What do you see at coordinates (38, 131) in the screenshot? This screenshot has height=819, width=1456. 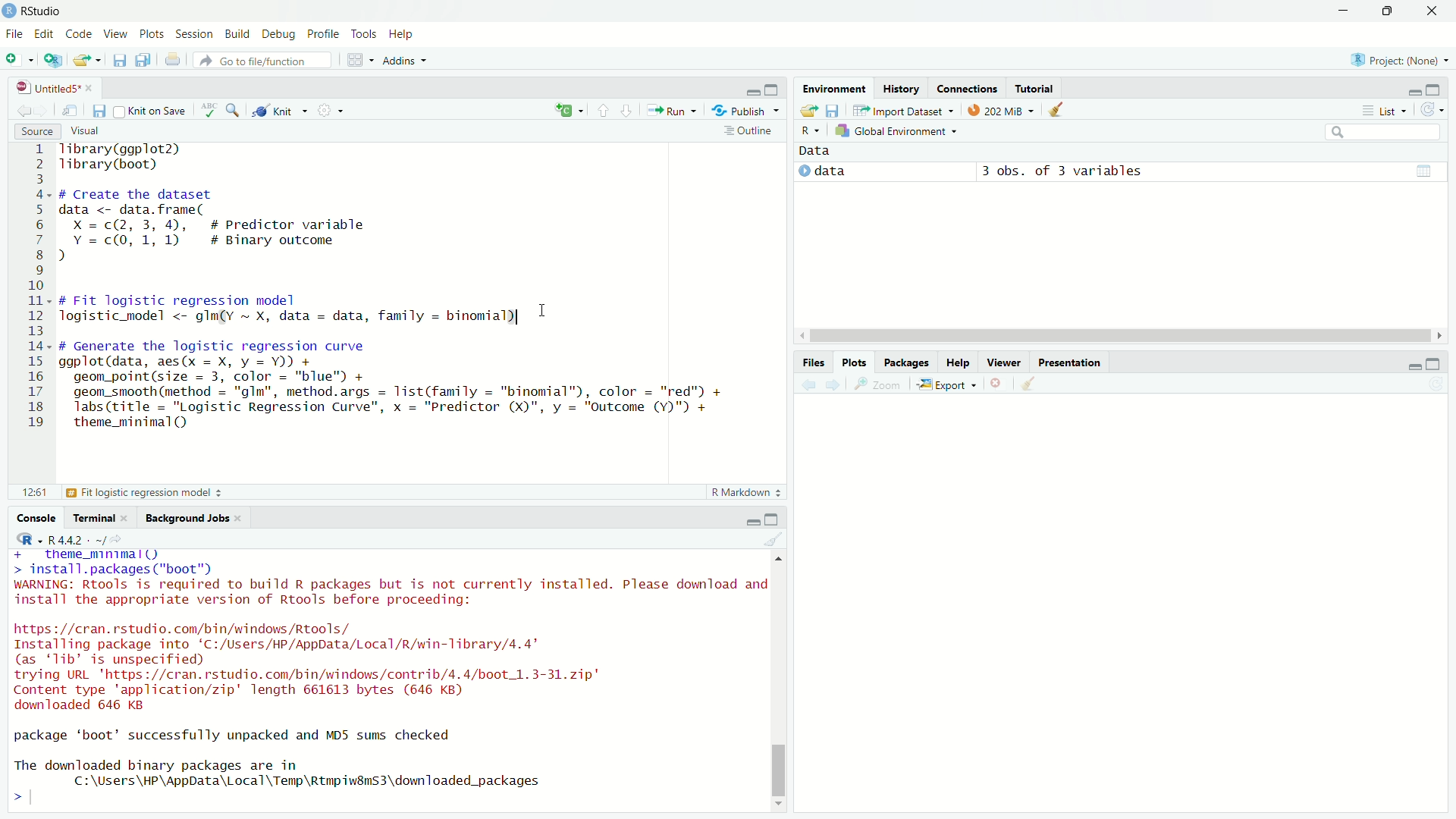 I see `Source` at bounding box center [38, 131].